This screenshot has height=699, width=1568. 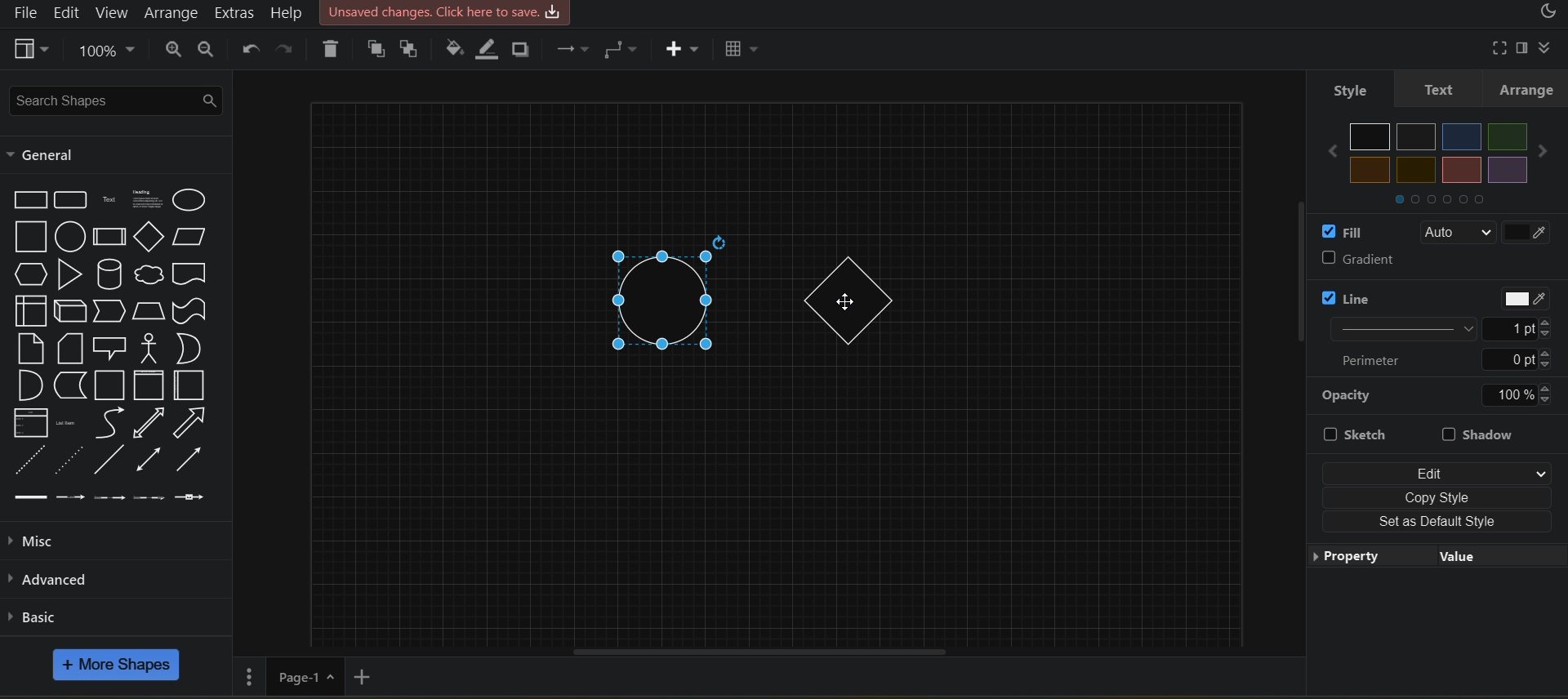 I want to click on Connector with label, so click(x=69, y=499).